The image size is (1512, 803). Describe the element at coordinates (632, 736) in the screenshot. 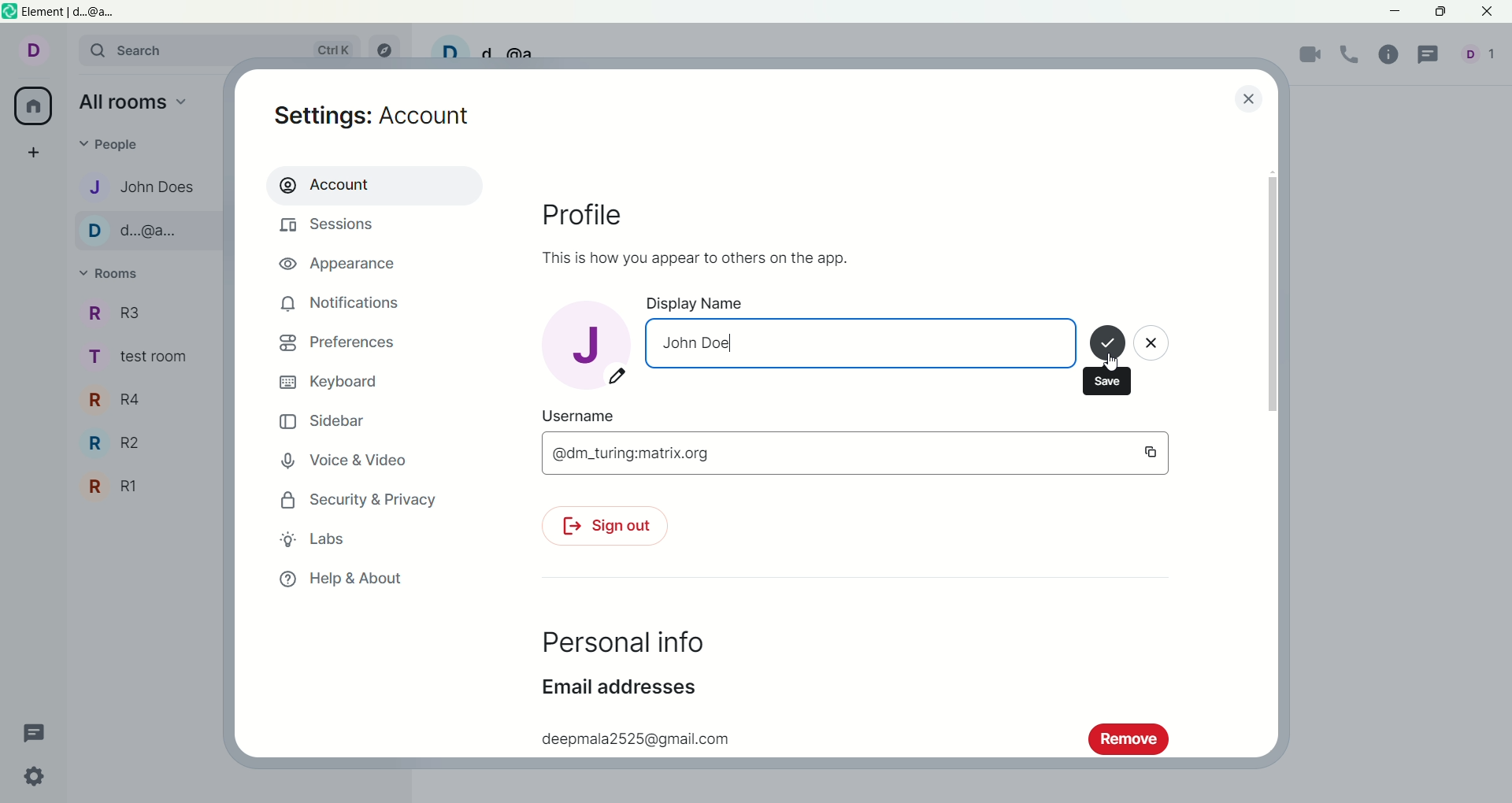

I see `deepmala2525@gmail.com` at that location.